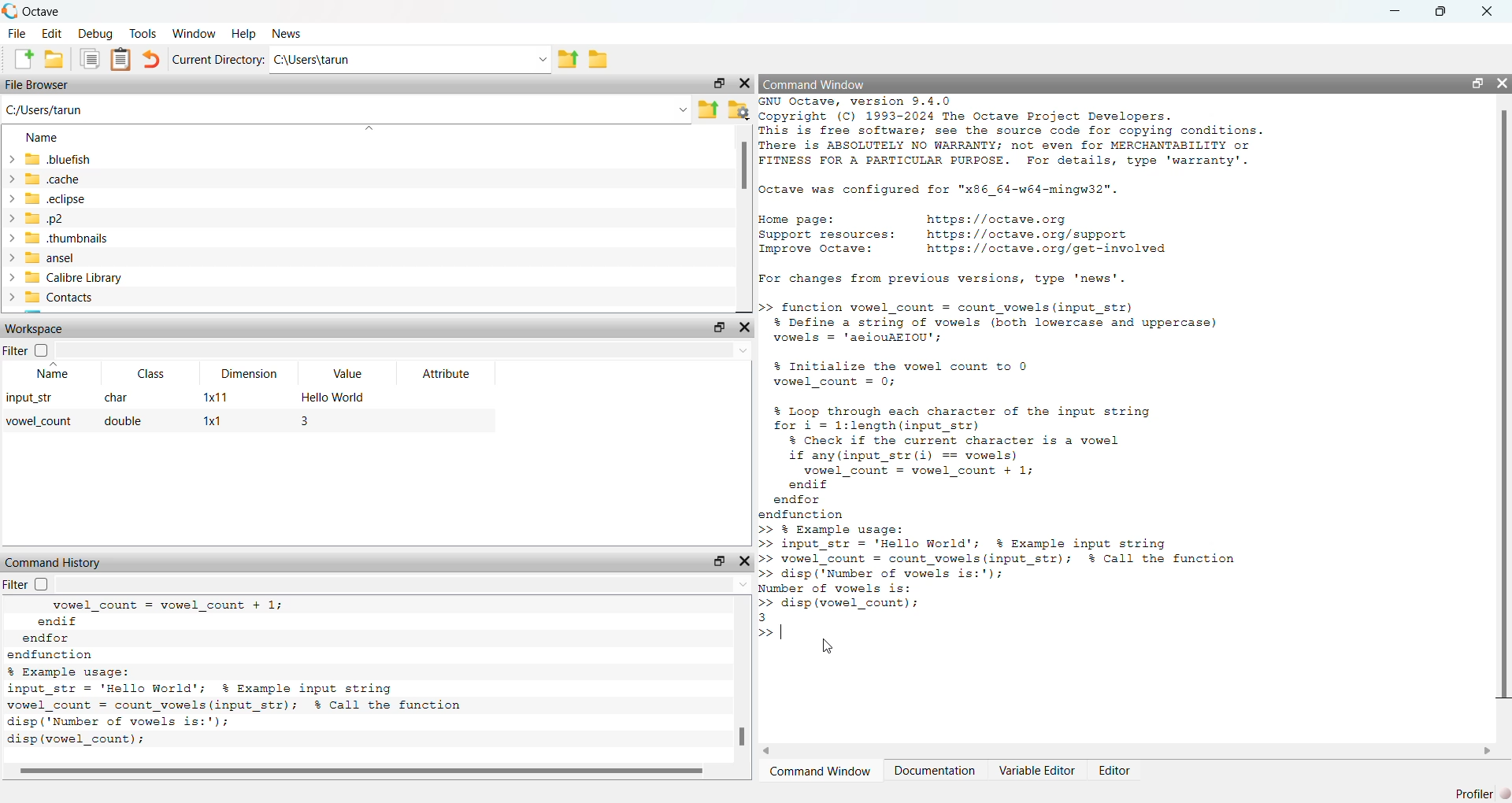 The width and height of the screenshot is (1512, 803). Describe the element at coordinates (44, 137) in the screenshot. I see `Name` at that location.